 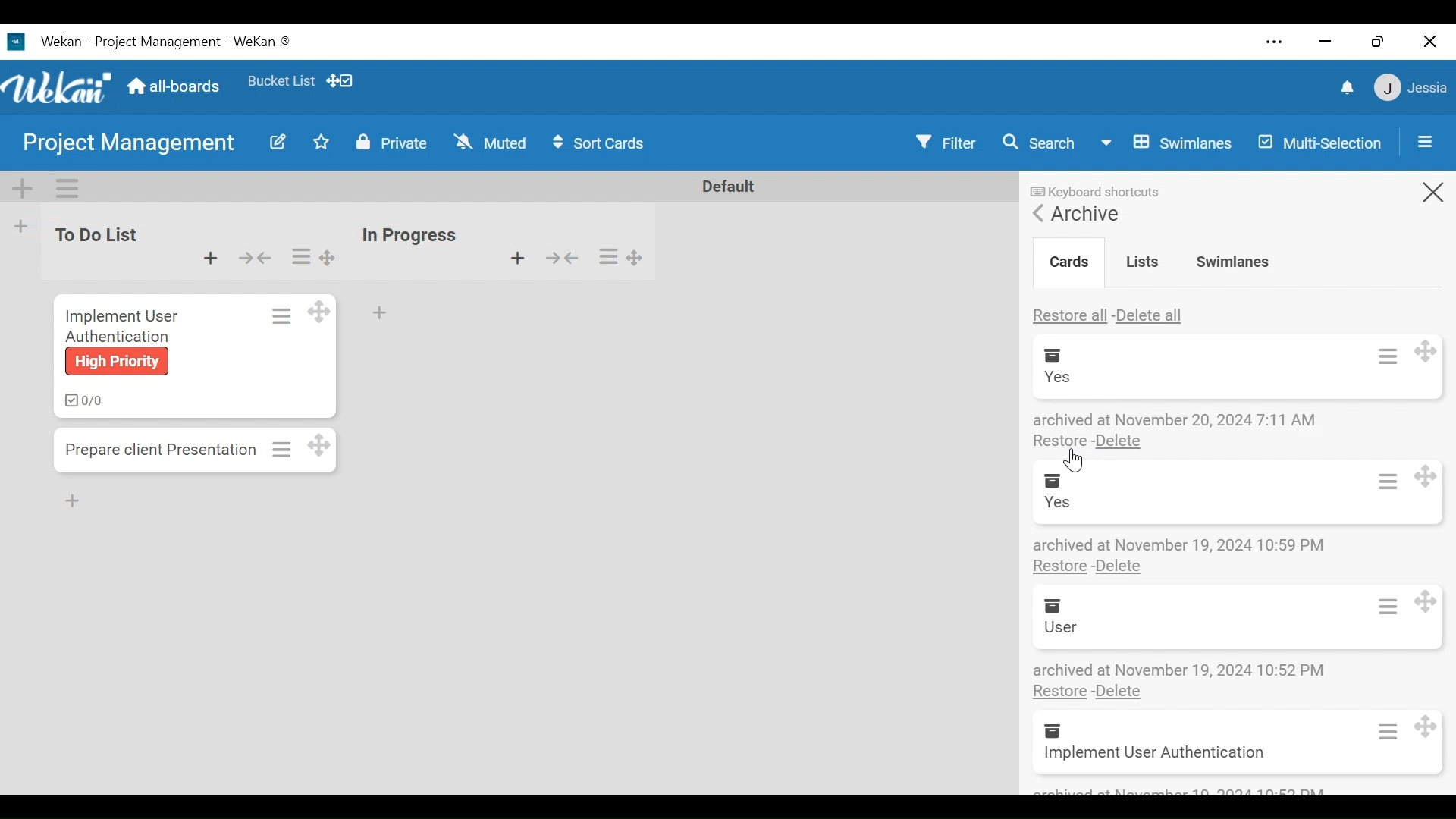 I want to click on Restore, so click(x=1061, y=567).